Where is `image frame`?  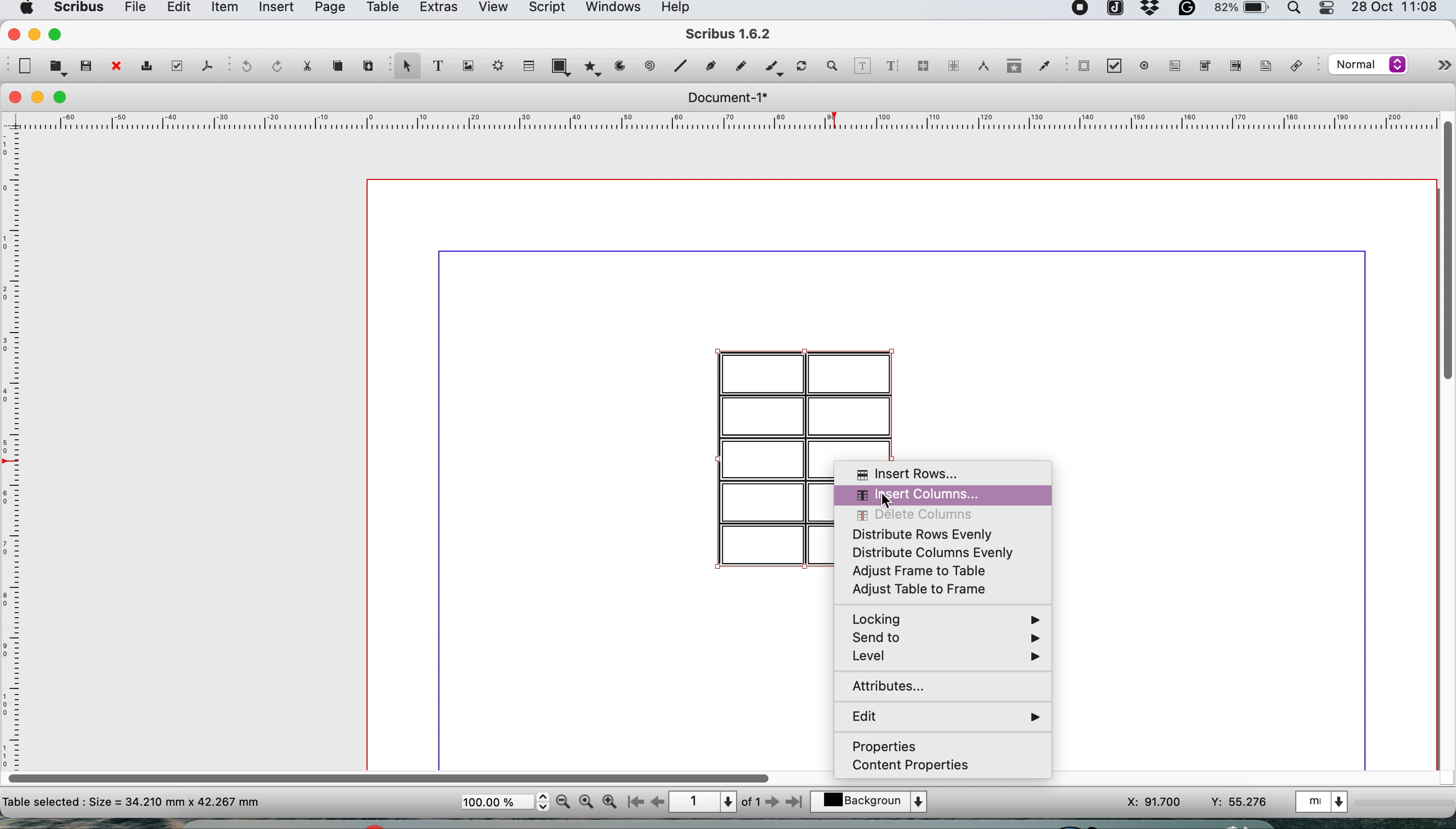 image frame is located at coordinates (466, 66).